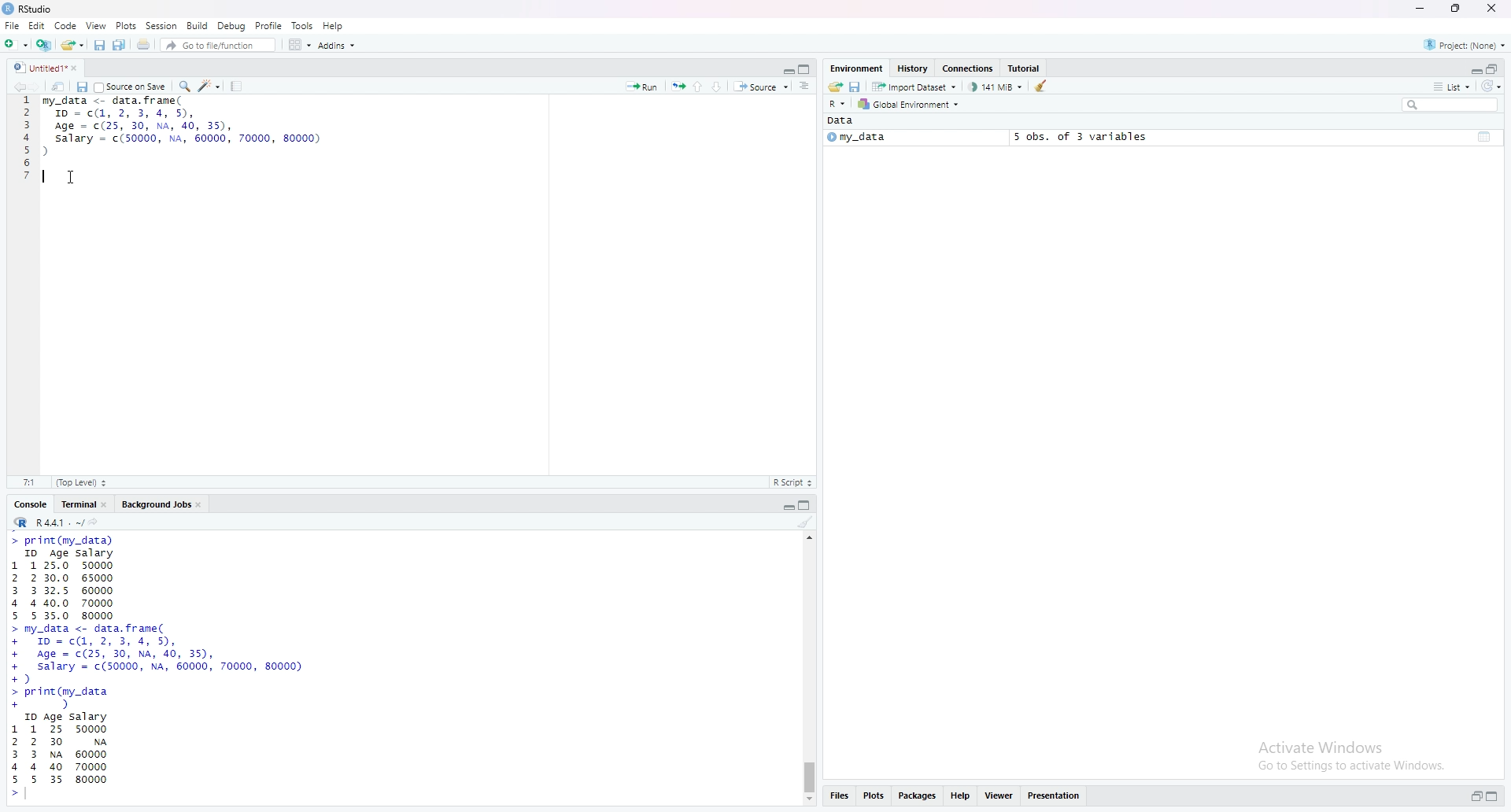 The width and height of the screenshot is (1511, 812). I want to click on new file, so click(17, 45).